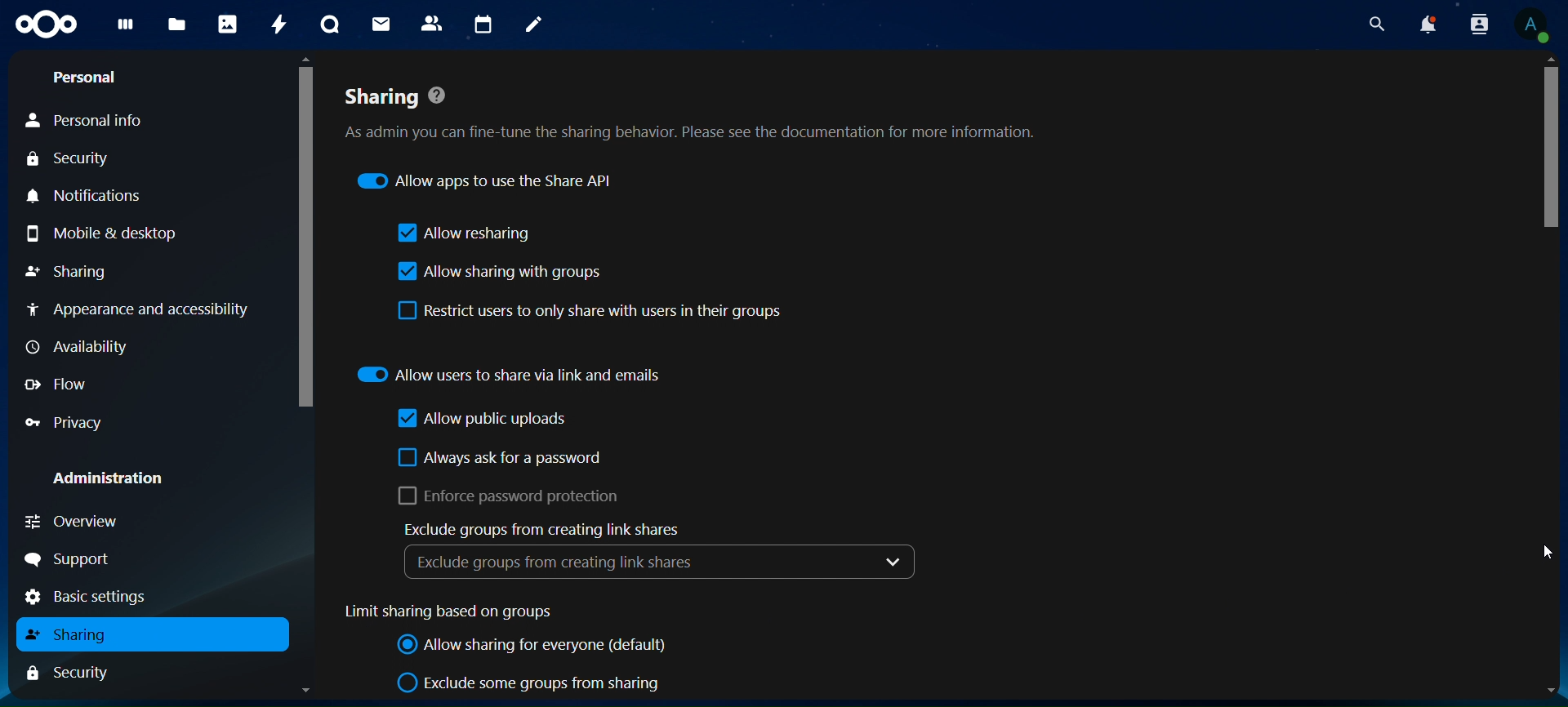  What do you see at coordinates (498, 272) in the screenshot?
I see `allow sharing with groups` at bounding box center [498, 272].